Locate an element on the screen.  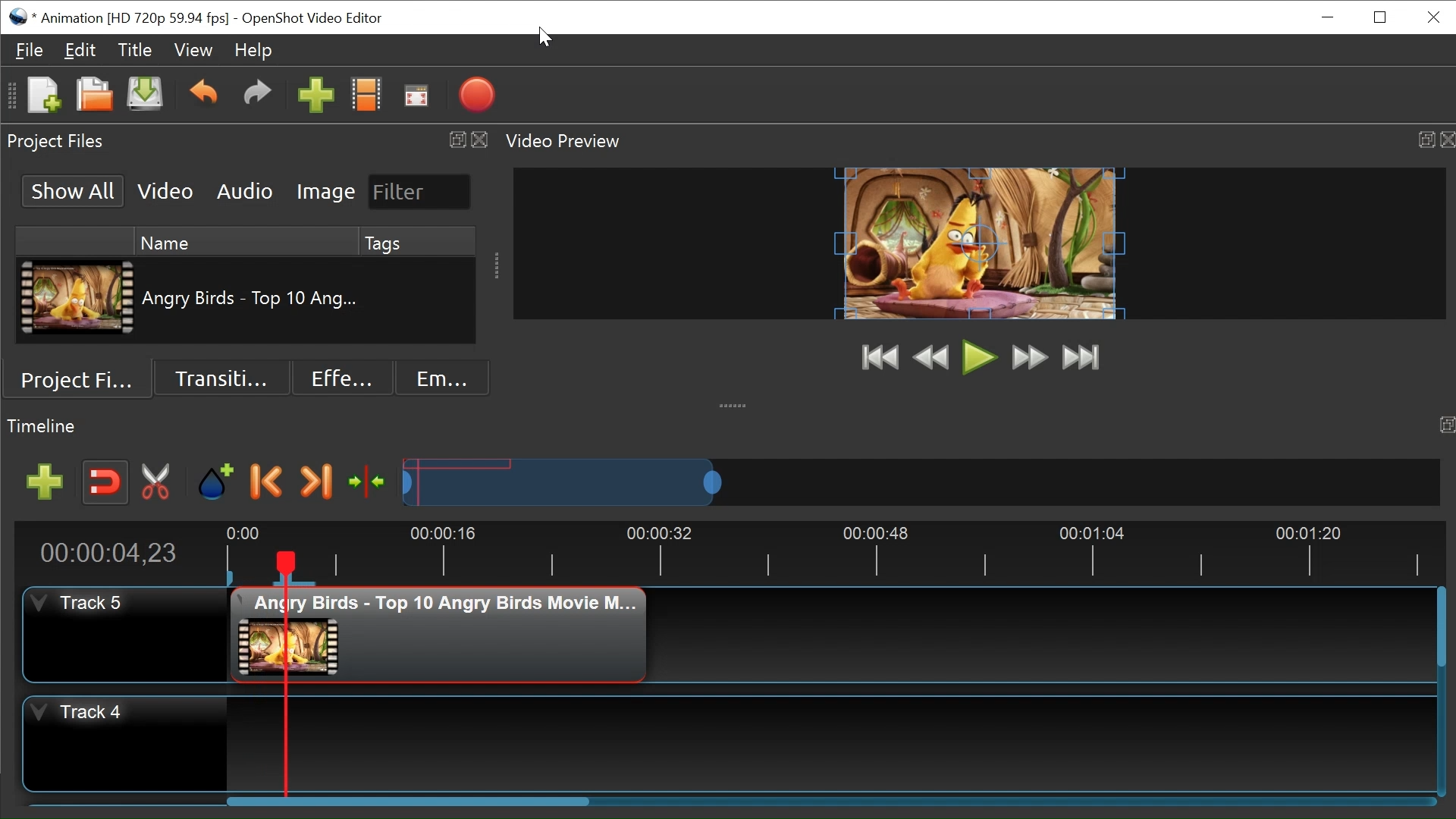
Undo is located at coordinates (206, 95).